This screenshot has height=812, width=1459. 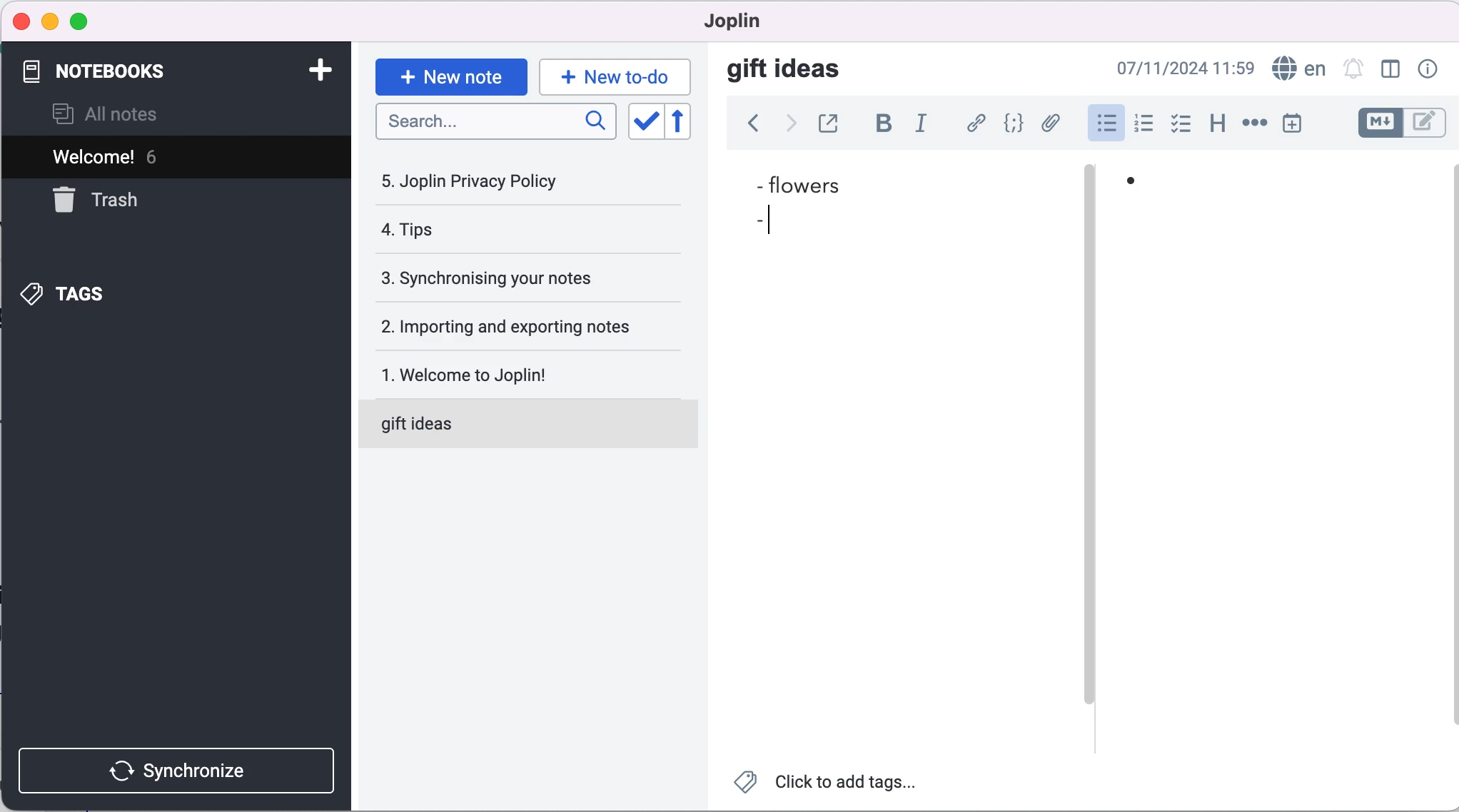 I want to click on toggle sort order field, so click(x=642, y=121).